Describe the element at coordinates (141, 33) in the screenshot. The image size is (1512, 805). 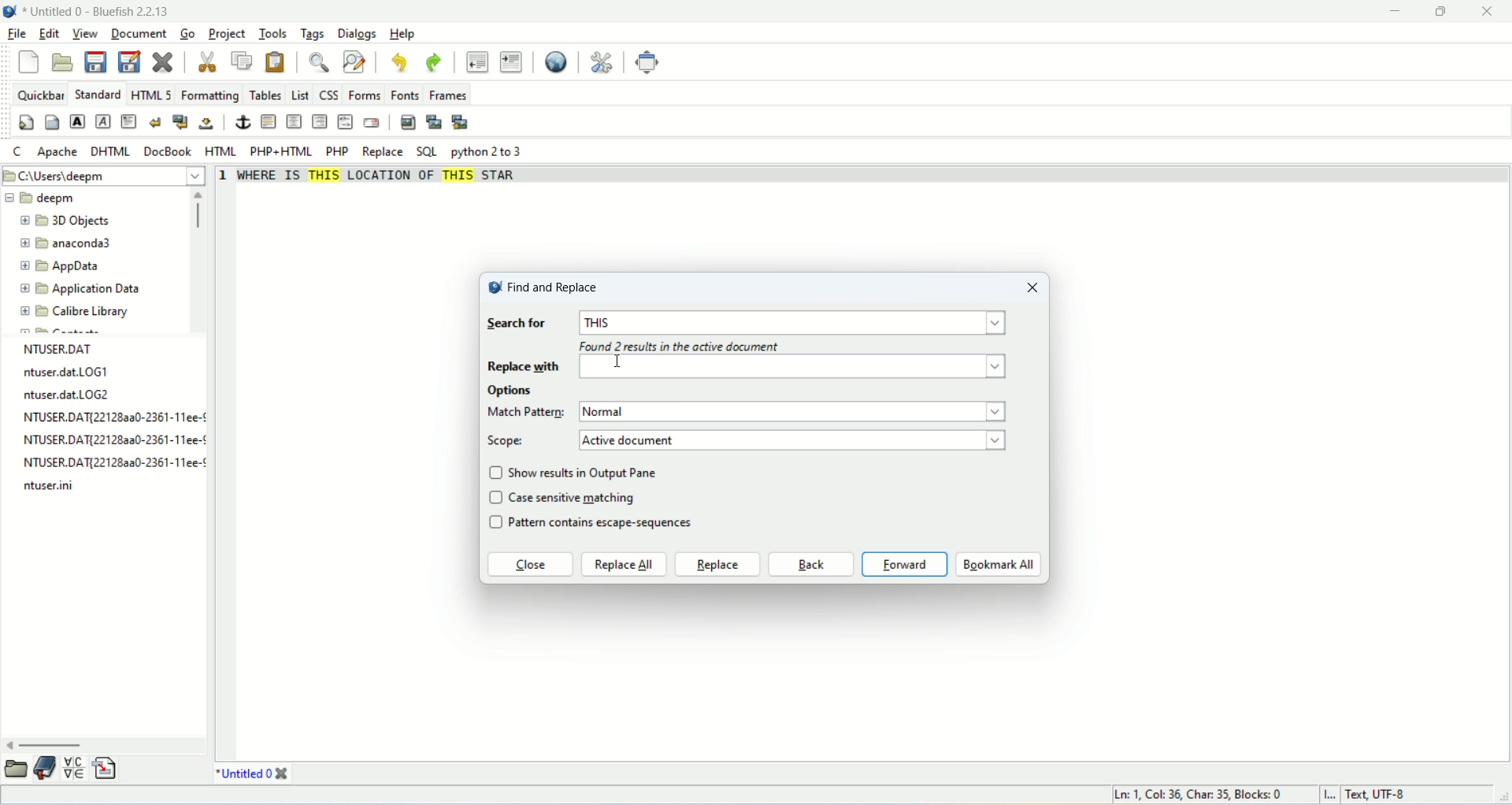
I see `document` at that location.